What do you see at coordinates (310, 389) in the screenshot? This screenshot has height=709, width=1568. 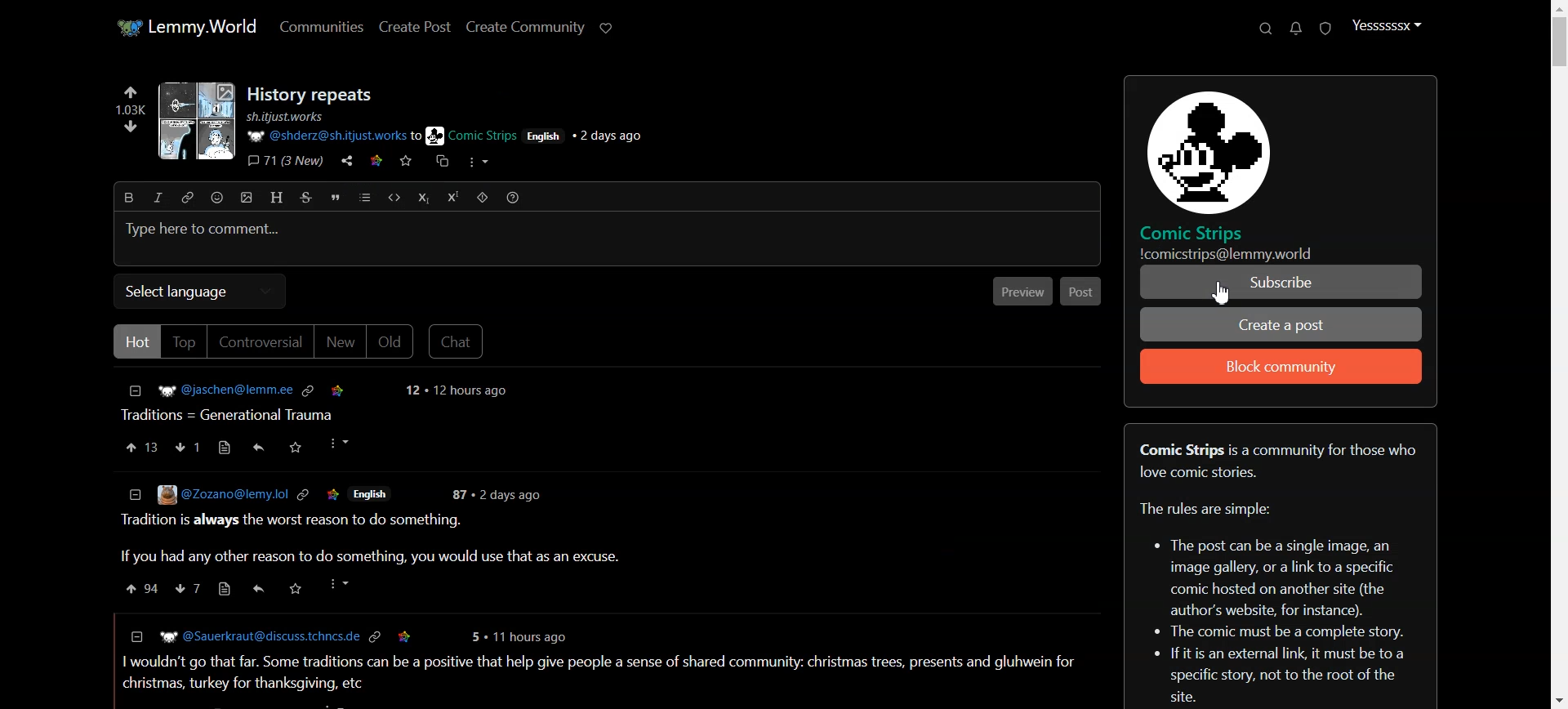 I see `Link` at bounding box center [310, 389].